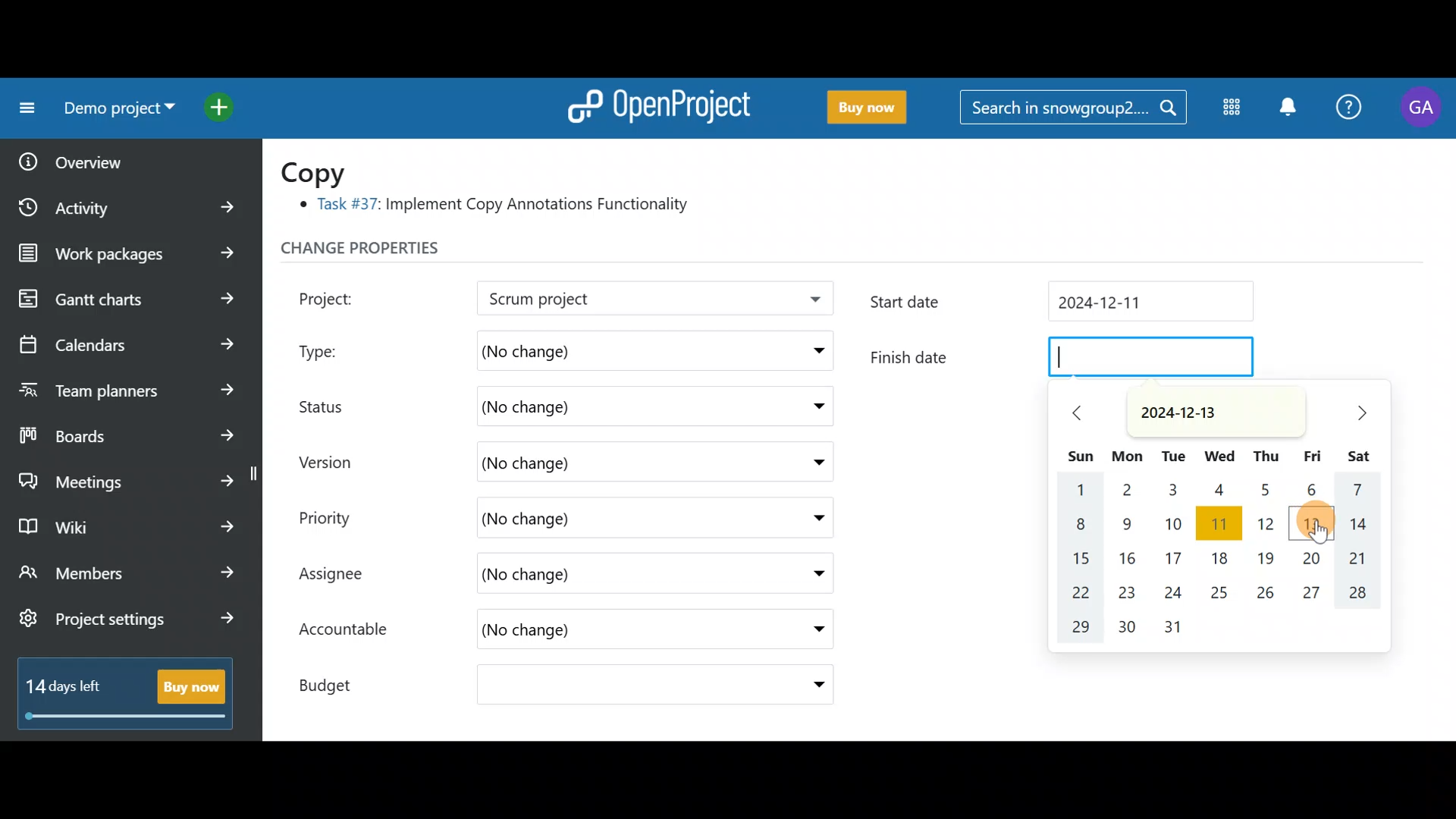 The height and width of the screenshot is (819, 1456). I want to click on Gantt charts, so click(124, 300).